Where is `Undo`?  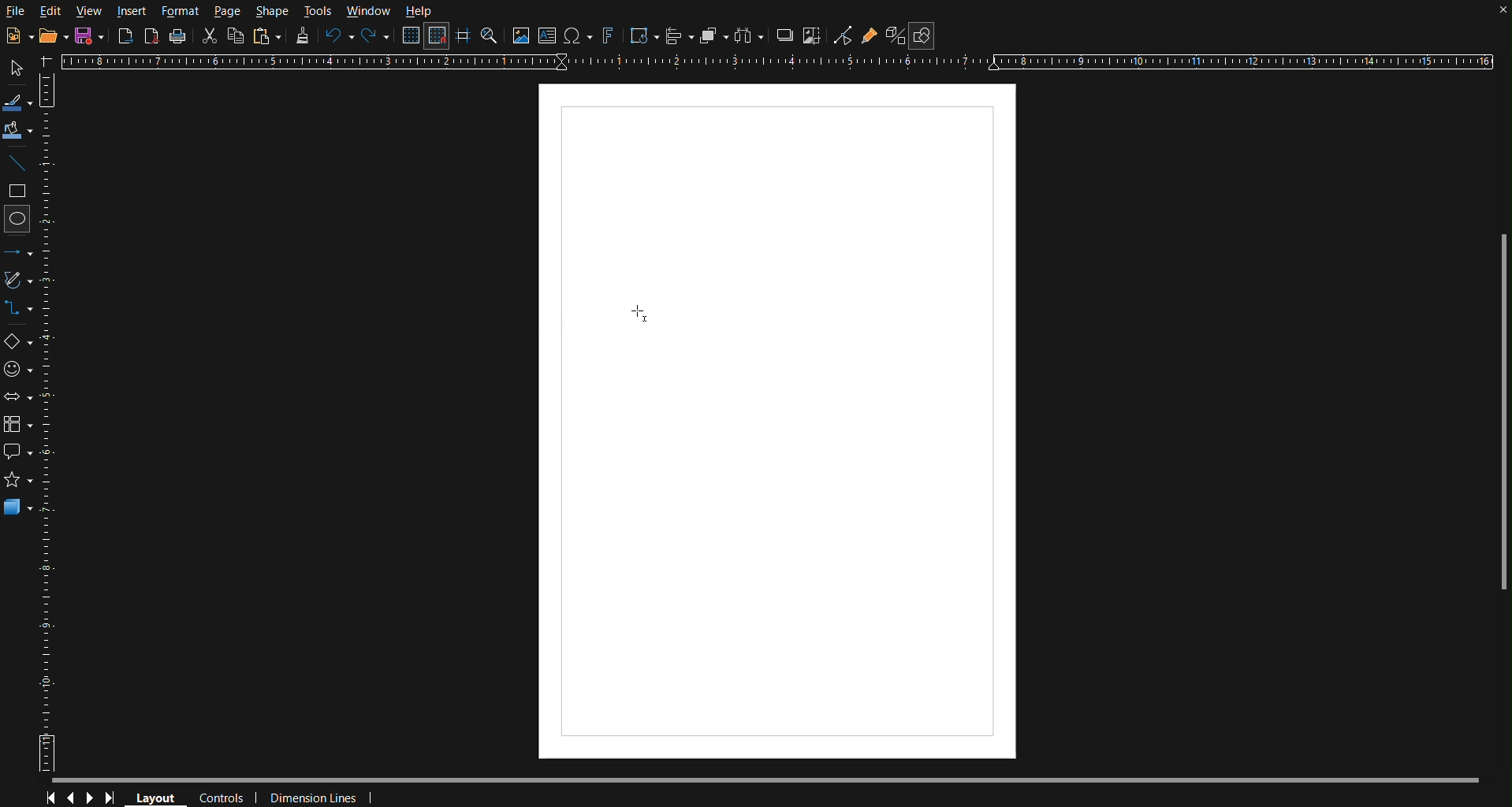 Undo is located at coordinates (339, 39).